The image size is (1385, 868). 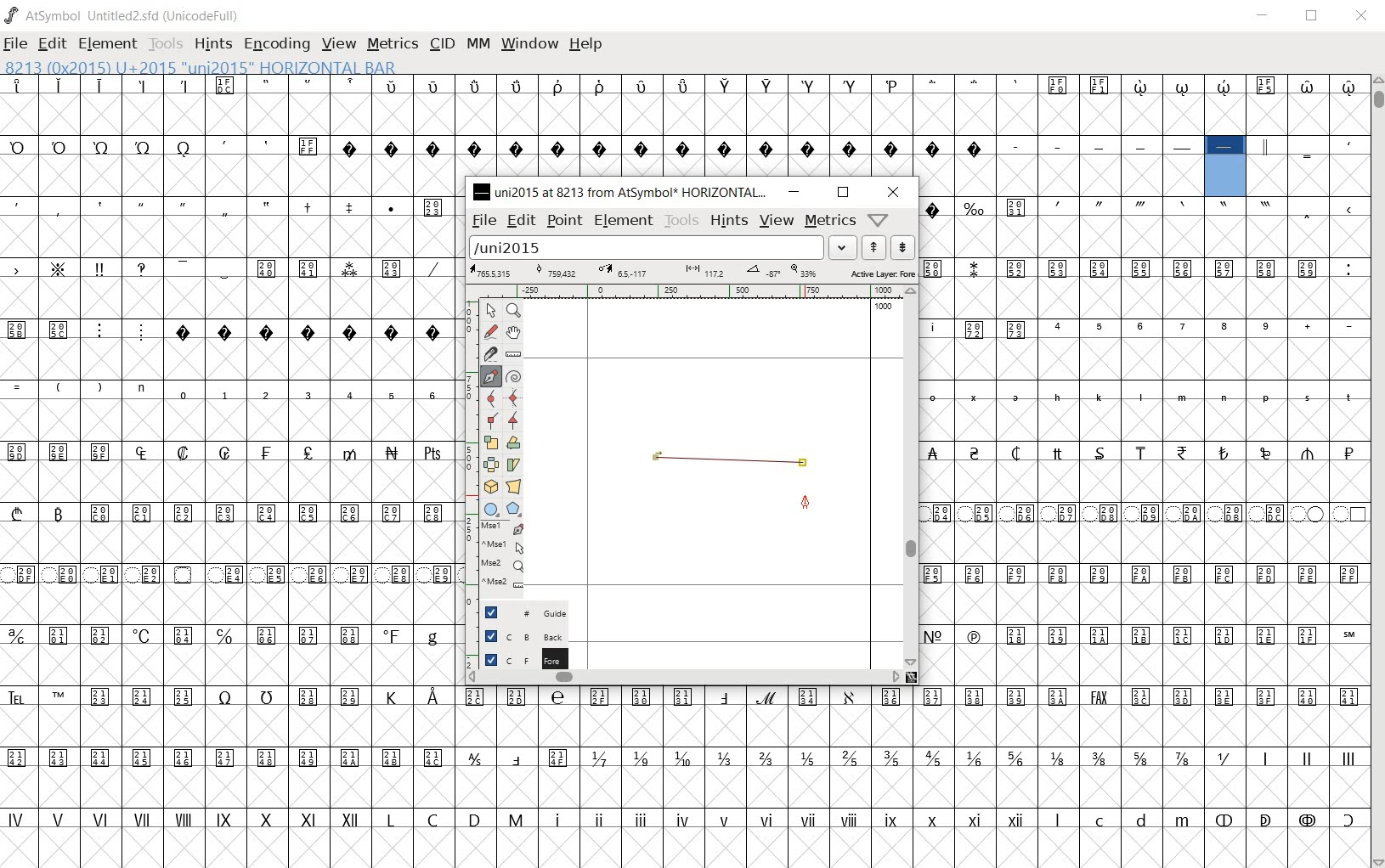 What do you see at coordinates (877, 220) in the screenshot?
I see `help/window` at bounding box center [877, 220].